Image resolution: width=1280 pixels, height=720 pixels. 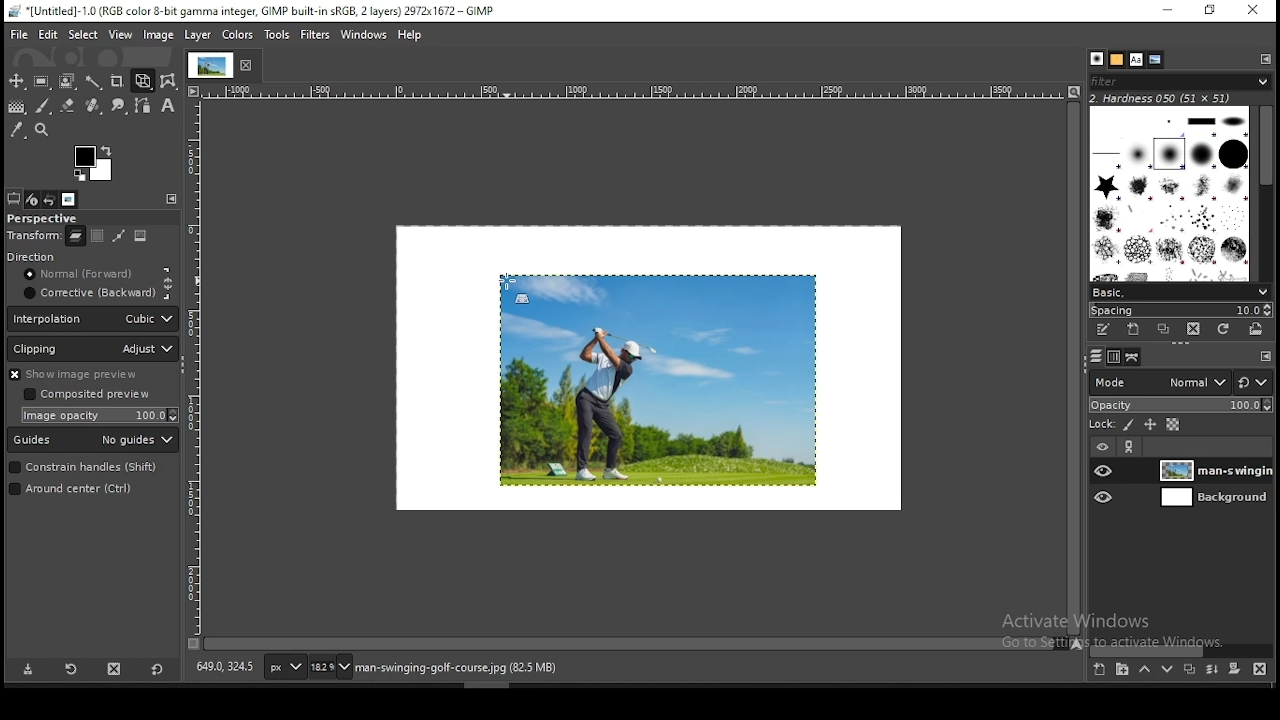 What do you see at coordinates (144, 81) in the screenshot?
I see `unified transform tool` at bounding box center [144, 81].